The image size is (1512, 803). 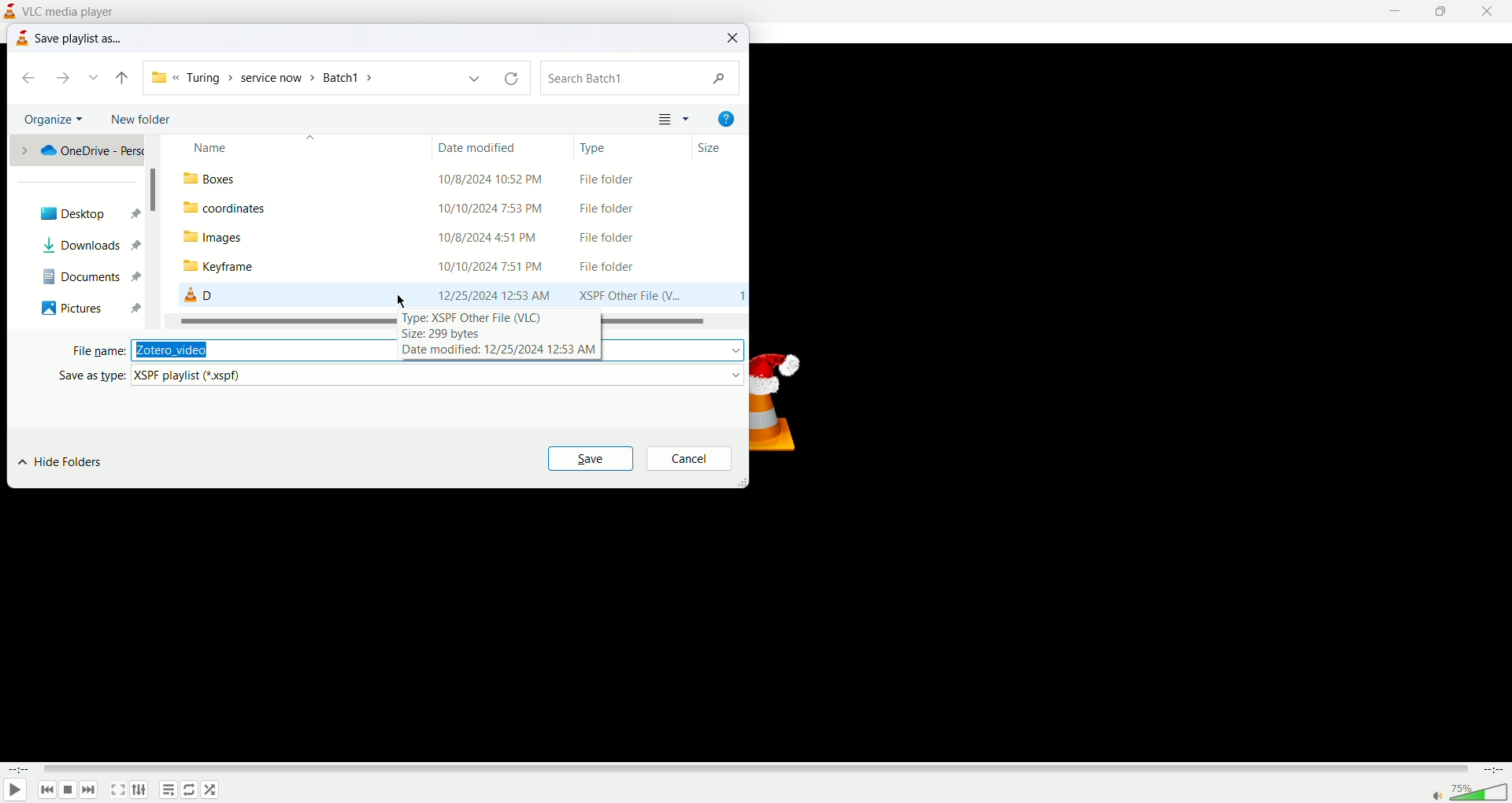 I want to click on Backward, so click(x=120, y=77).